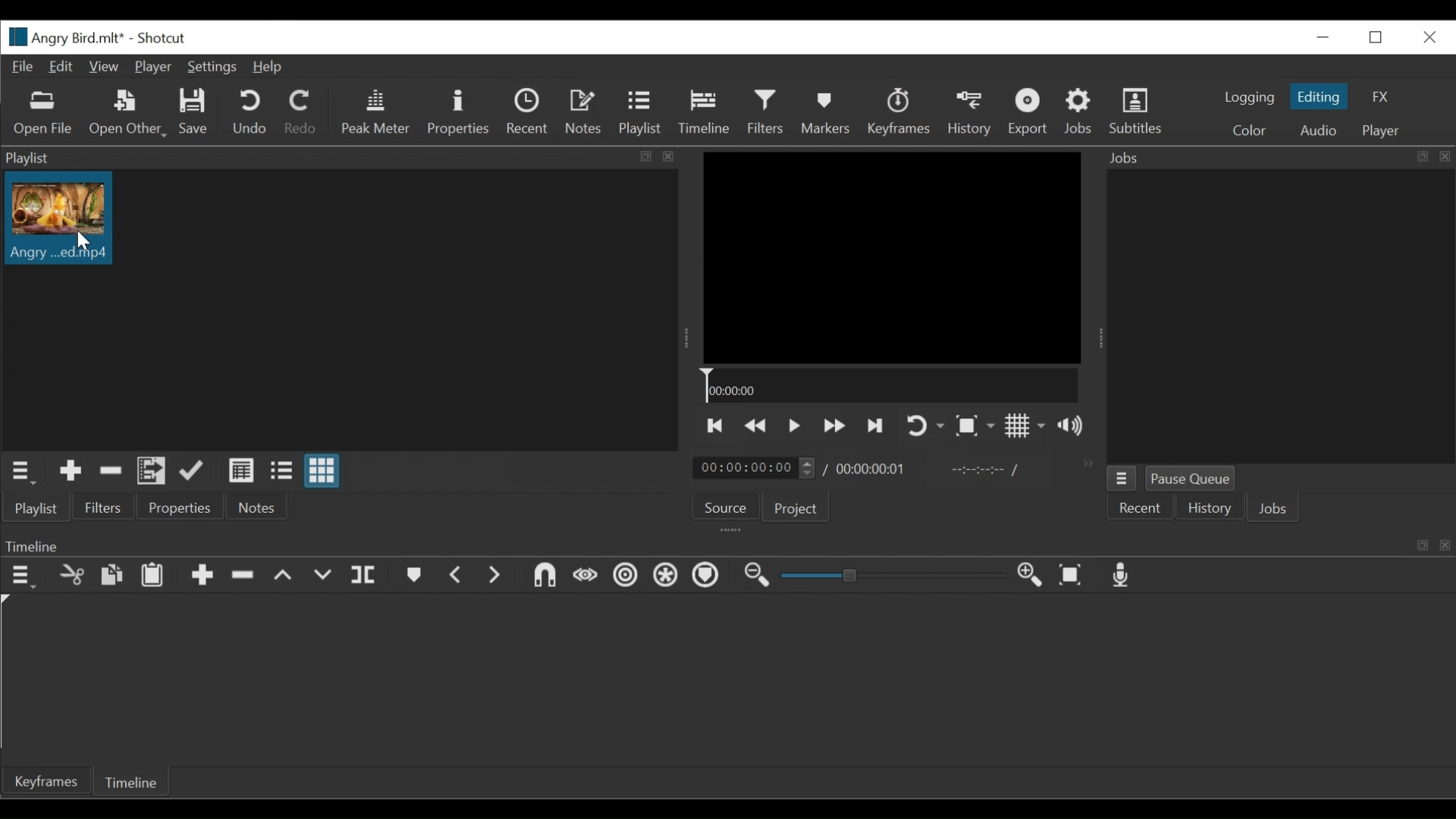  What do you see at coordinates (192, 471) in the screenshot?
I see `Update` at bounding box center [192, 471].